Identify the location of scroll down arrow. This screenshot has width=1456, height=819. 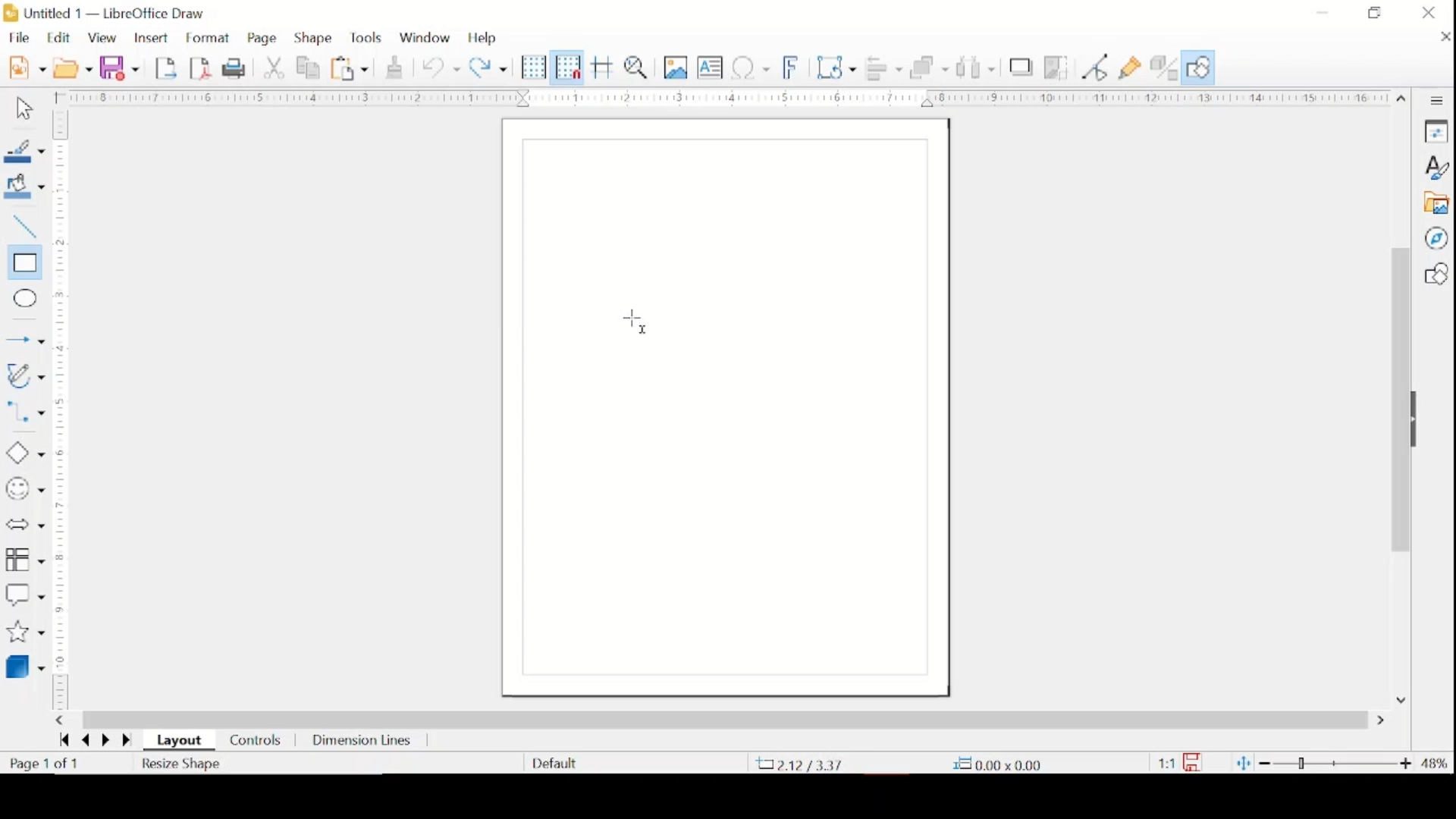
(1399, 698).